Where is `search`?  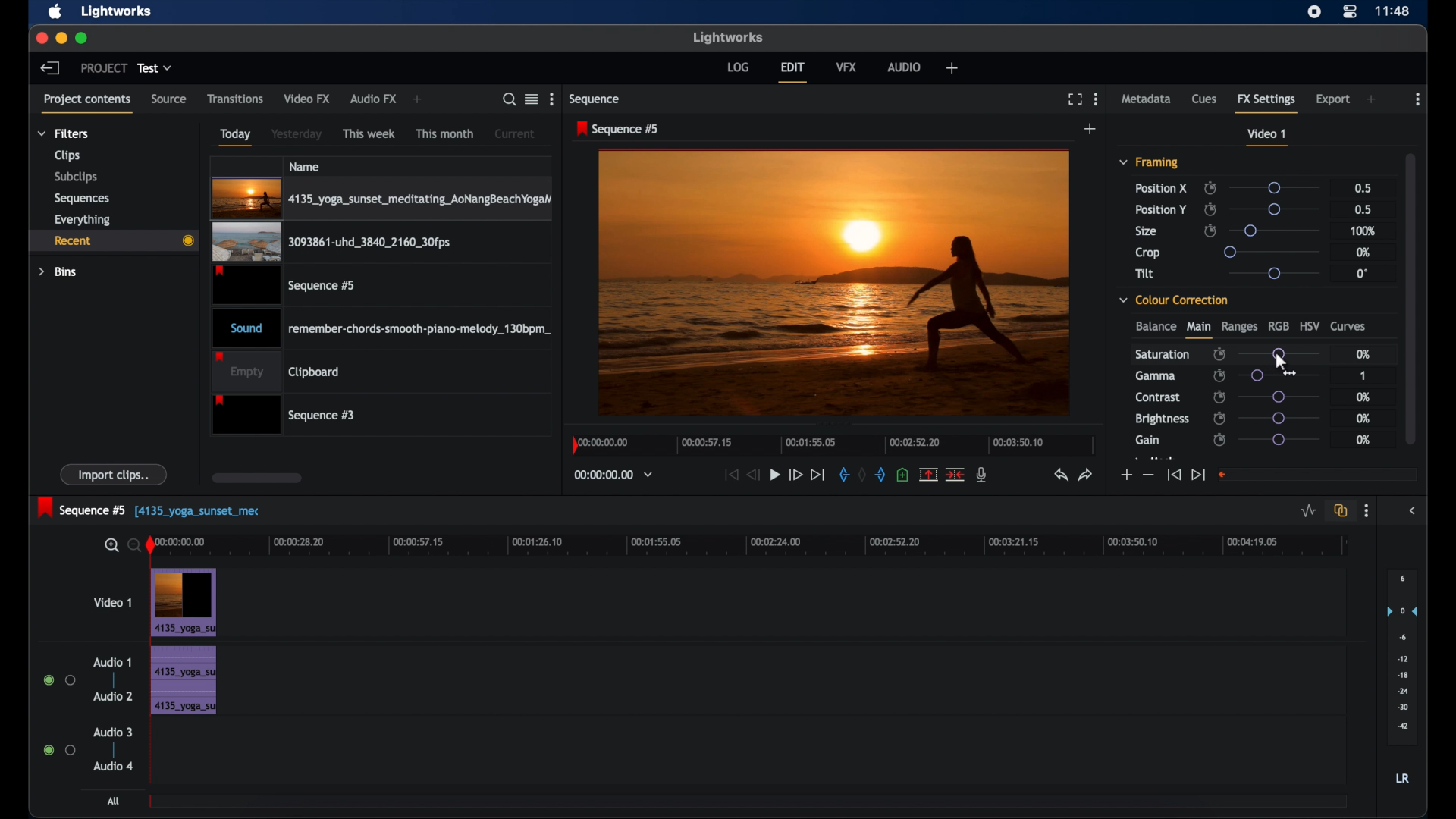 search is located at coordinates (510, 99).